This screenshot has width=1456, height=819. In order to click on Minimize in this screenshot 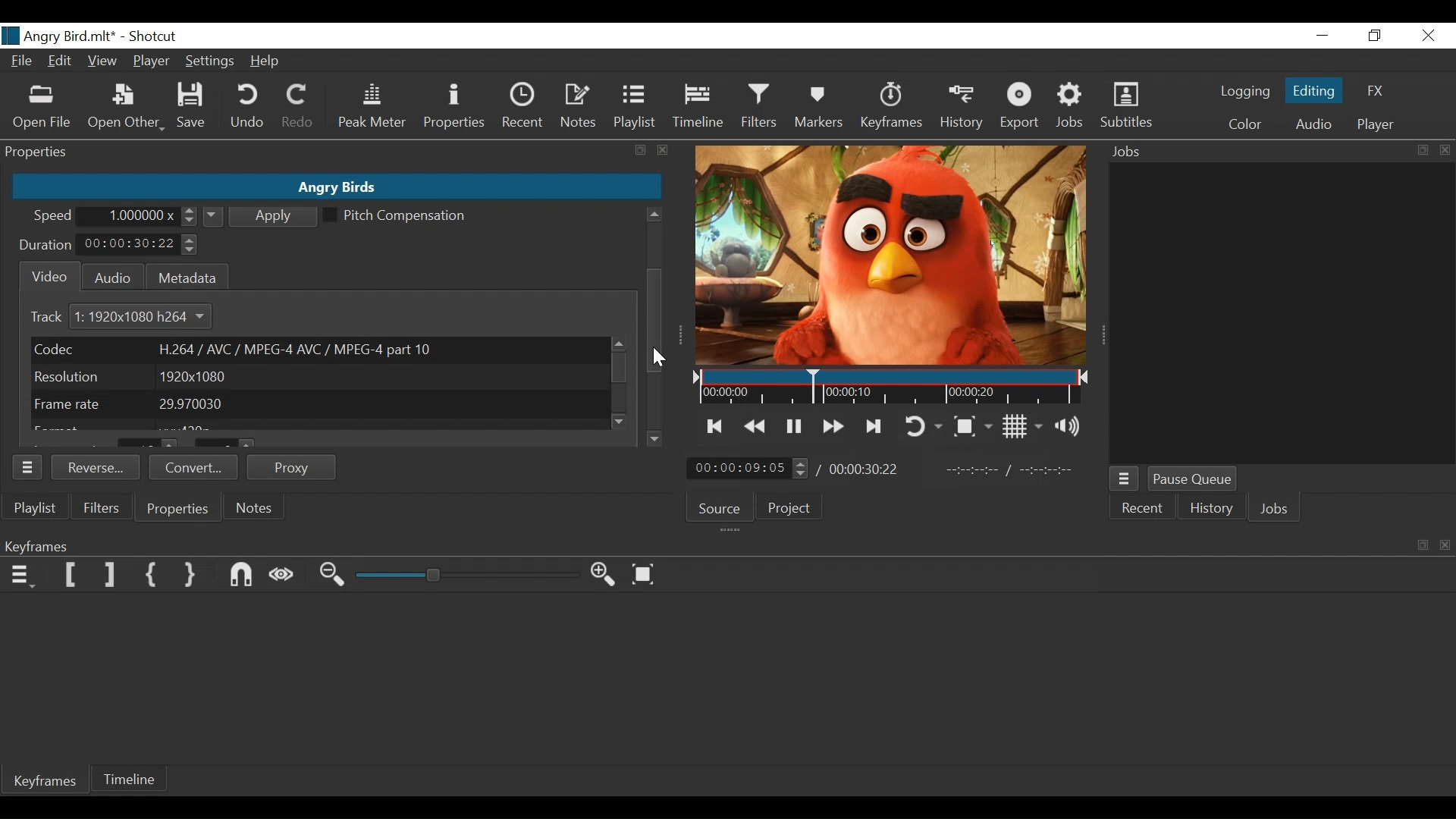, I will do `click(1323, 36)`.